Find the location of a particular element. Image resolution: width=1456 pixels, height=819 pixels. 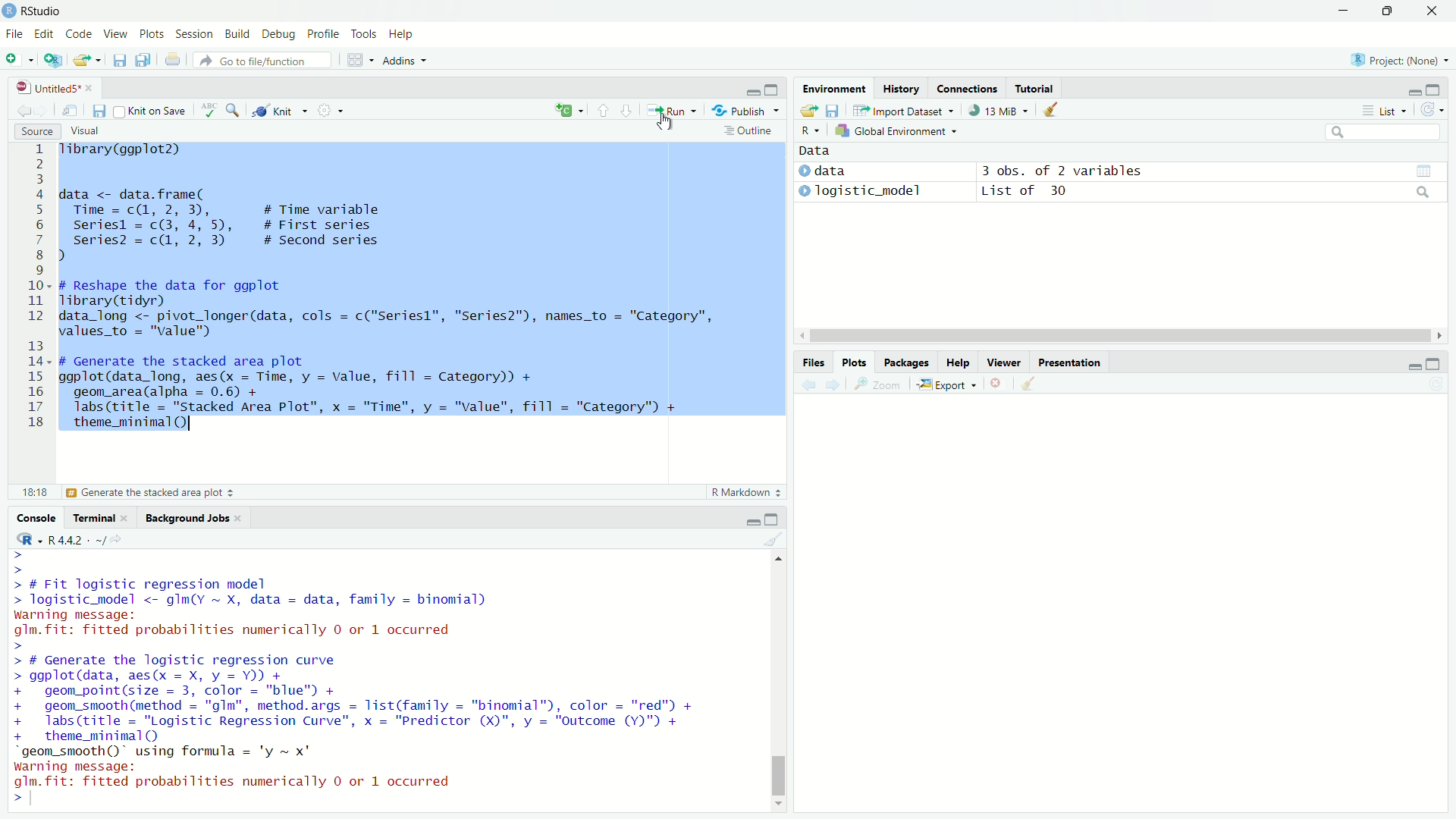

13 MiB + is located at coordinates (1005, 112).